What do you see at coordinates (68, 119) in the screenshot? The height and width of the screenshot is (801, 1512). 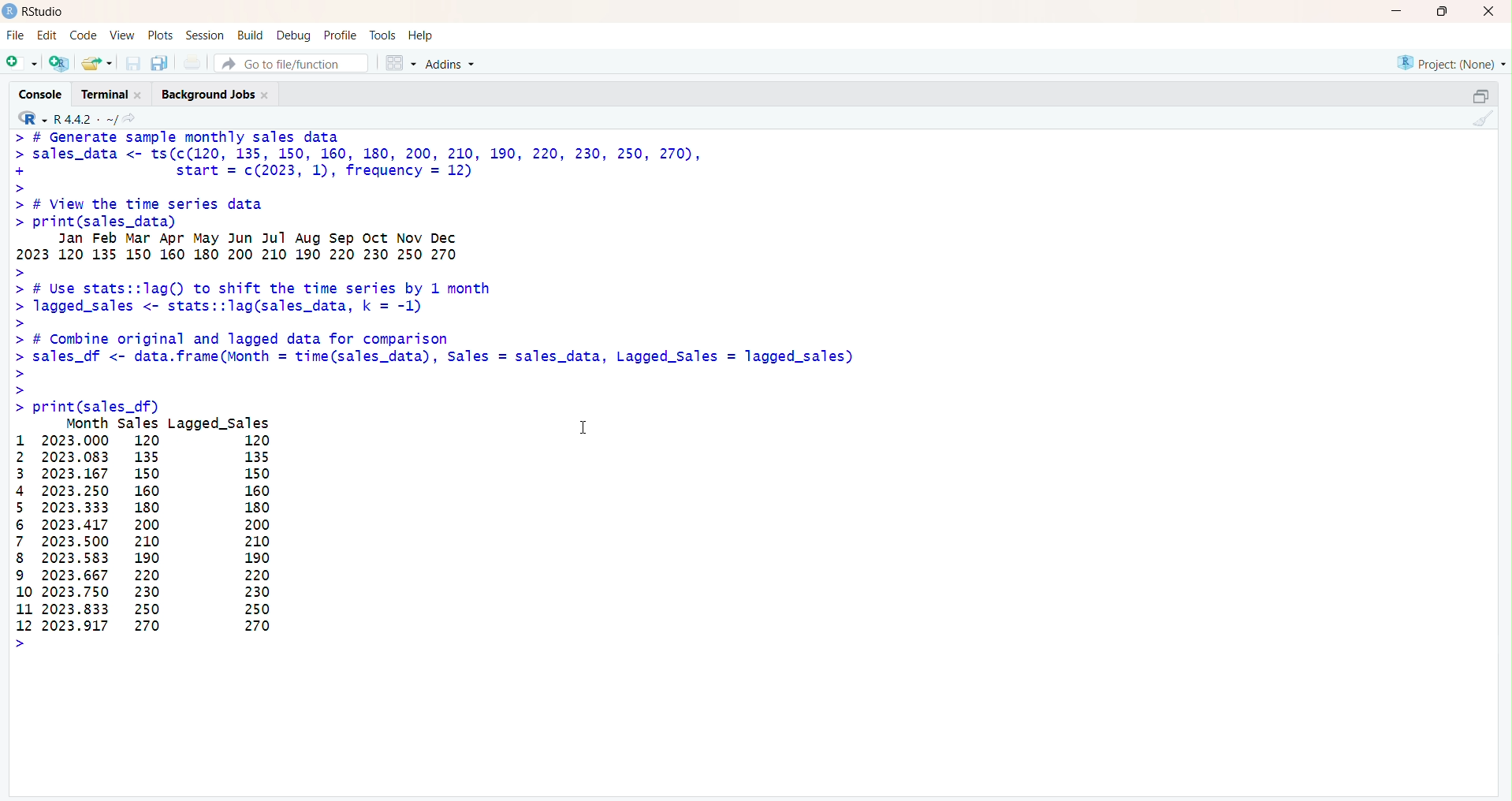 I see `R 4.4.2` at bounding box center [68, 119].